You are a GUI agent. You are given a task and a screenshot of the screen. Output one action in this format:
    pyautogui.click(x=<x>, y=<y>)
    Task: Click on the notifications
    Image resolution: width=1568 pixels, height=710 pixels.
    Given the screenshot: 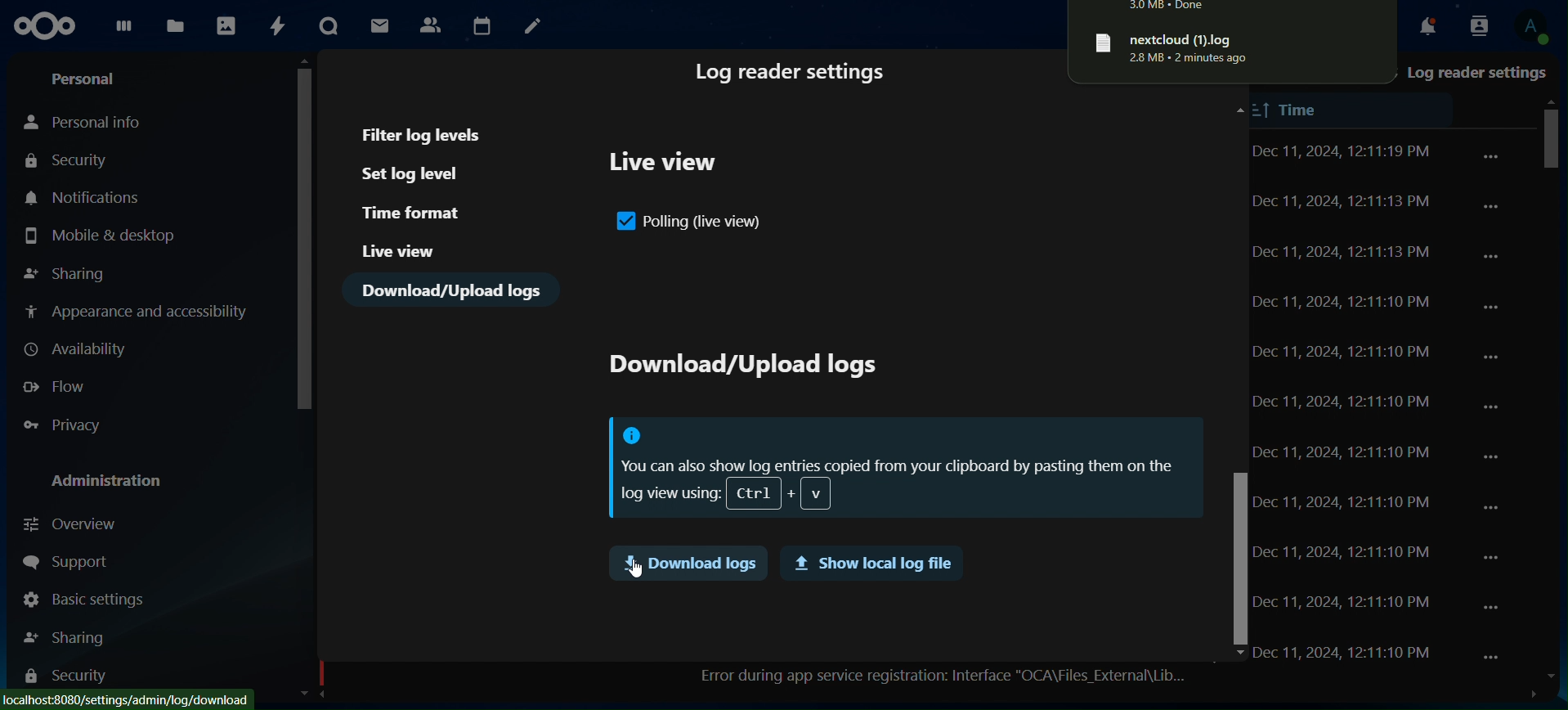 What is the action you would take?
    pyautogui.click(x=85, y=197)
    